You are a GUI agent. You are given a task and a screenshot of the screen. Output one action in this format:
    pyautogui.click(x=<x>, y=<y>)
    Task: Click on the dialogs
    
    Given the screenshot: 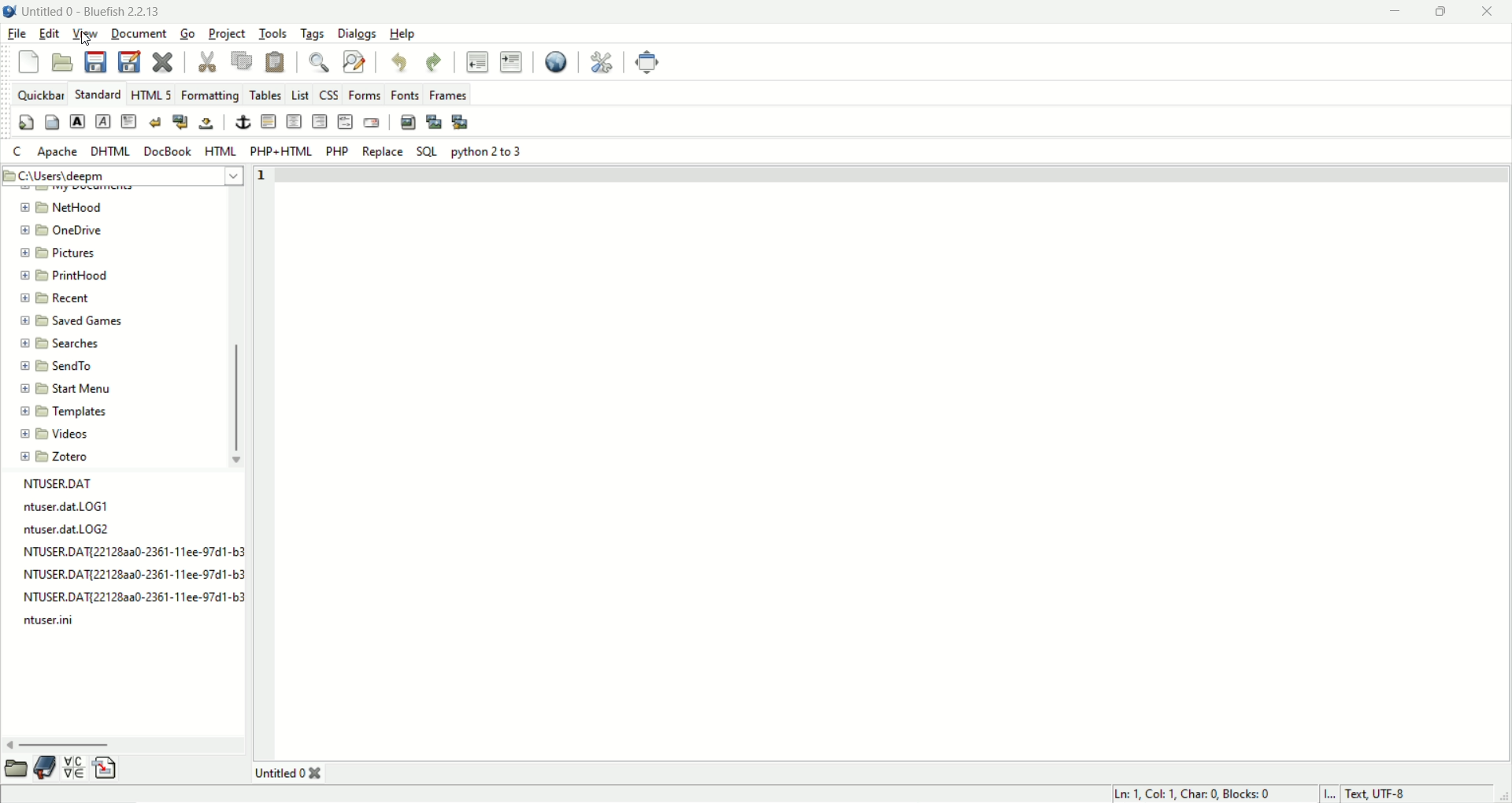 What is the action you would take?
    pyautogui.click(x=357, y=33)
    